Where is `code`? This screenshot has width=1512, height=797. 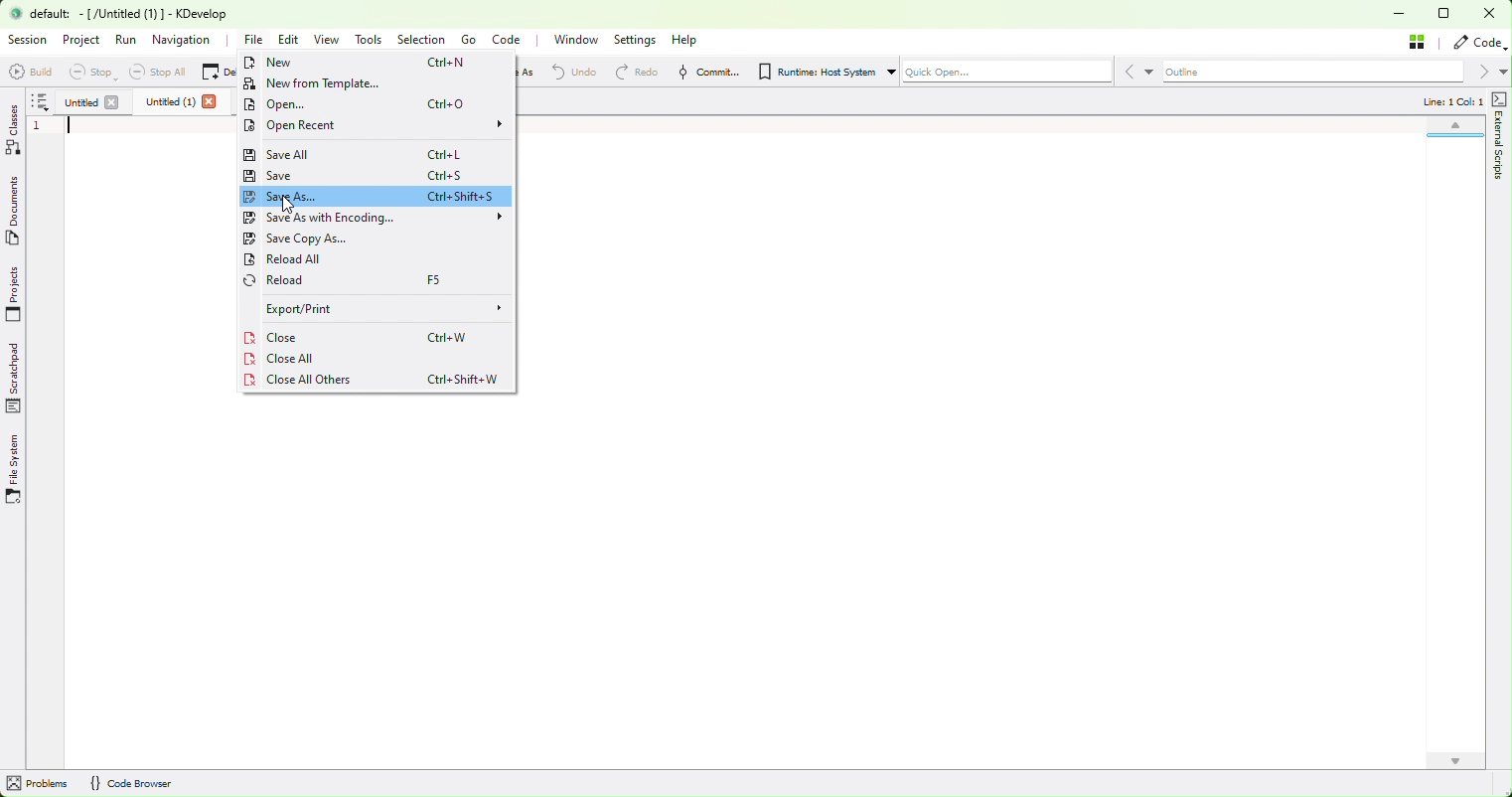
code is located at coordinates (1477, 43).